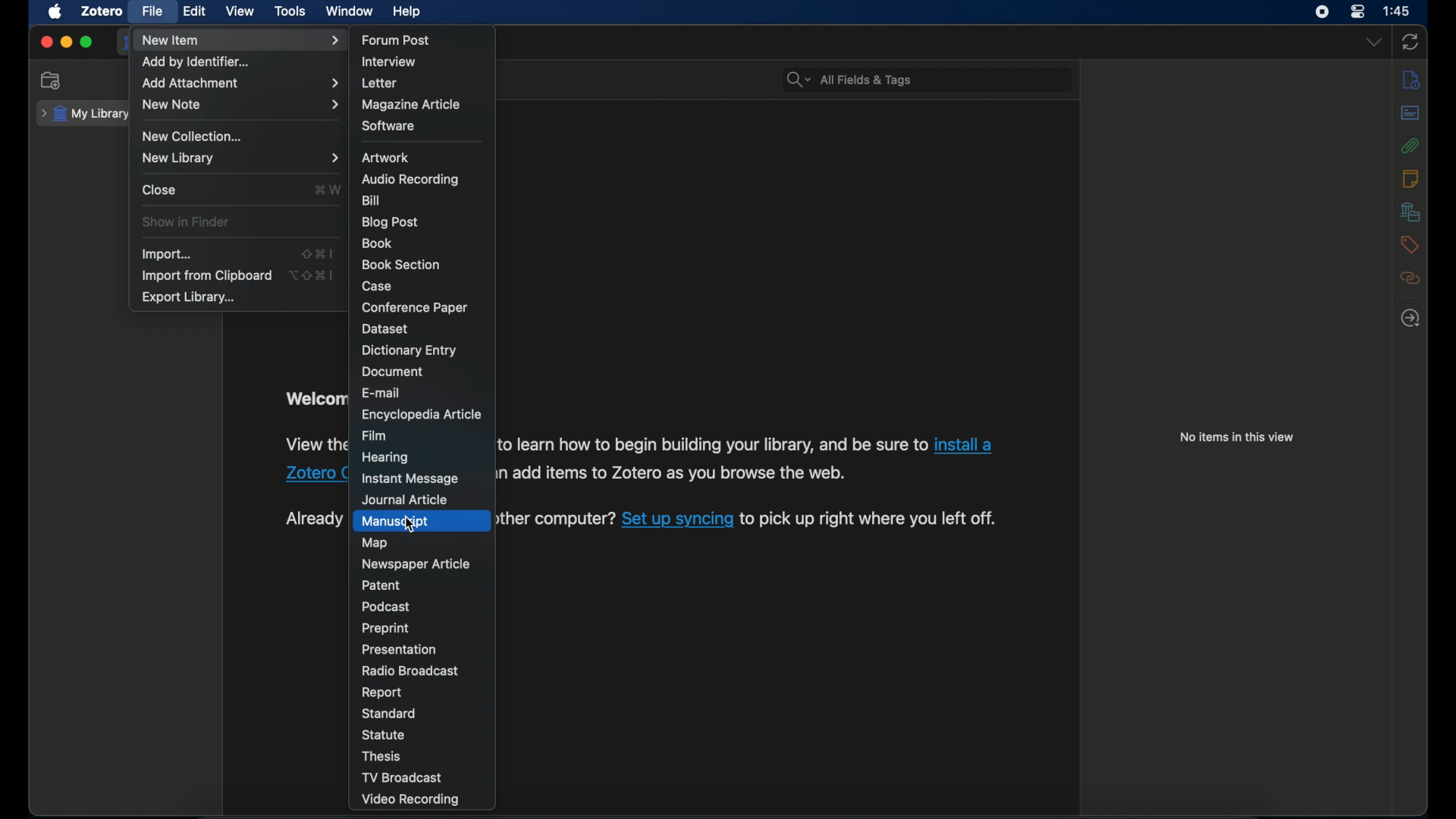  Describe the element at coordinates (388, 457) in the screenshot. I see `hearing` at that location.